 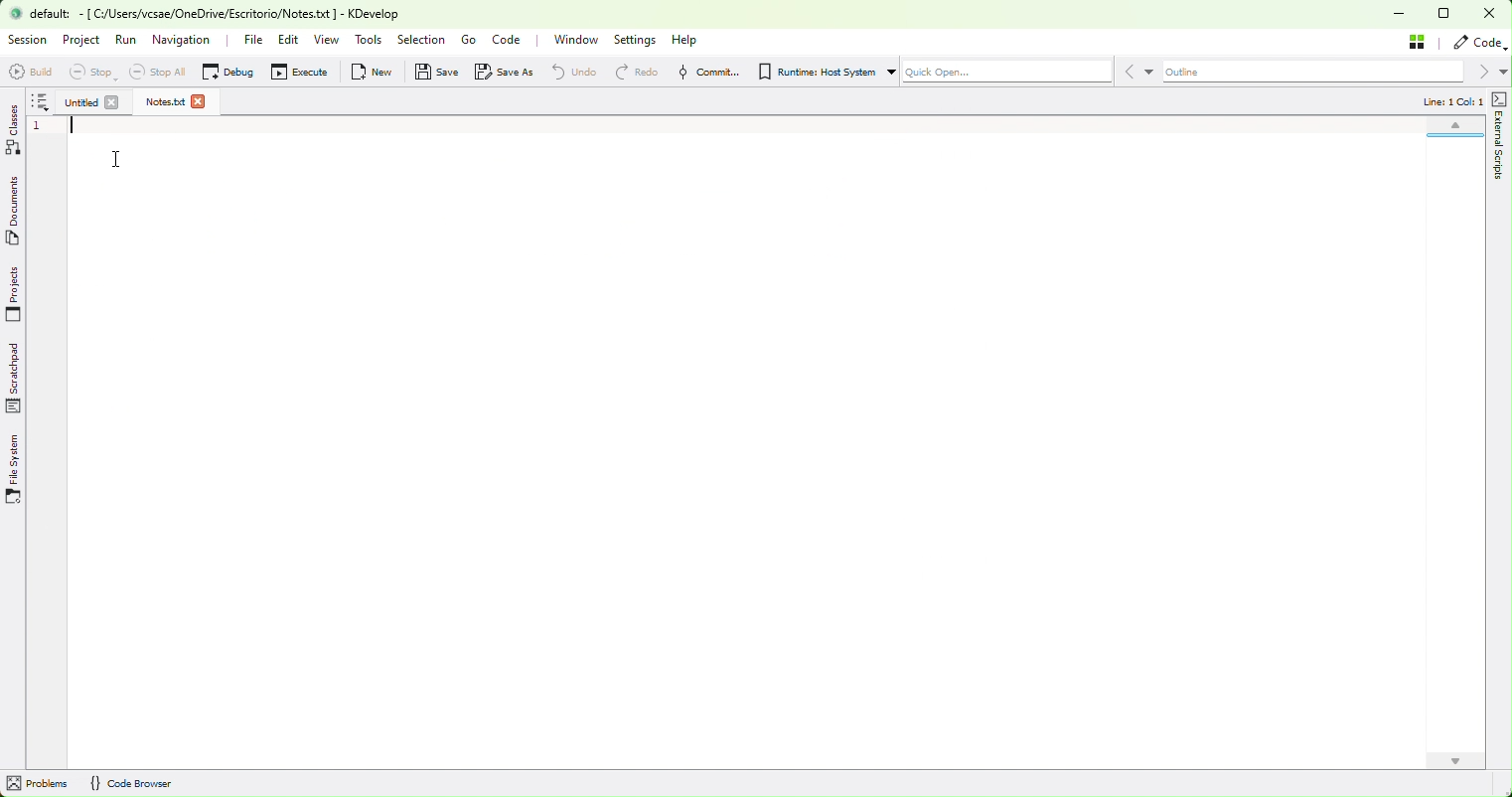 I want to click on Commit, so click(x=706, y=72).